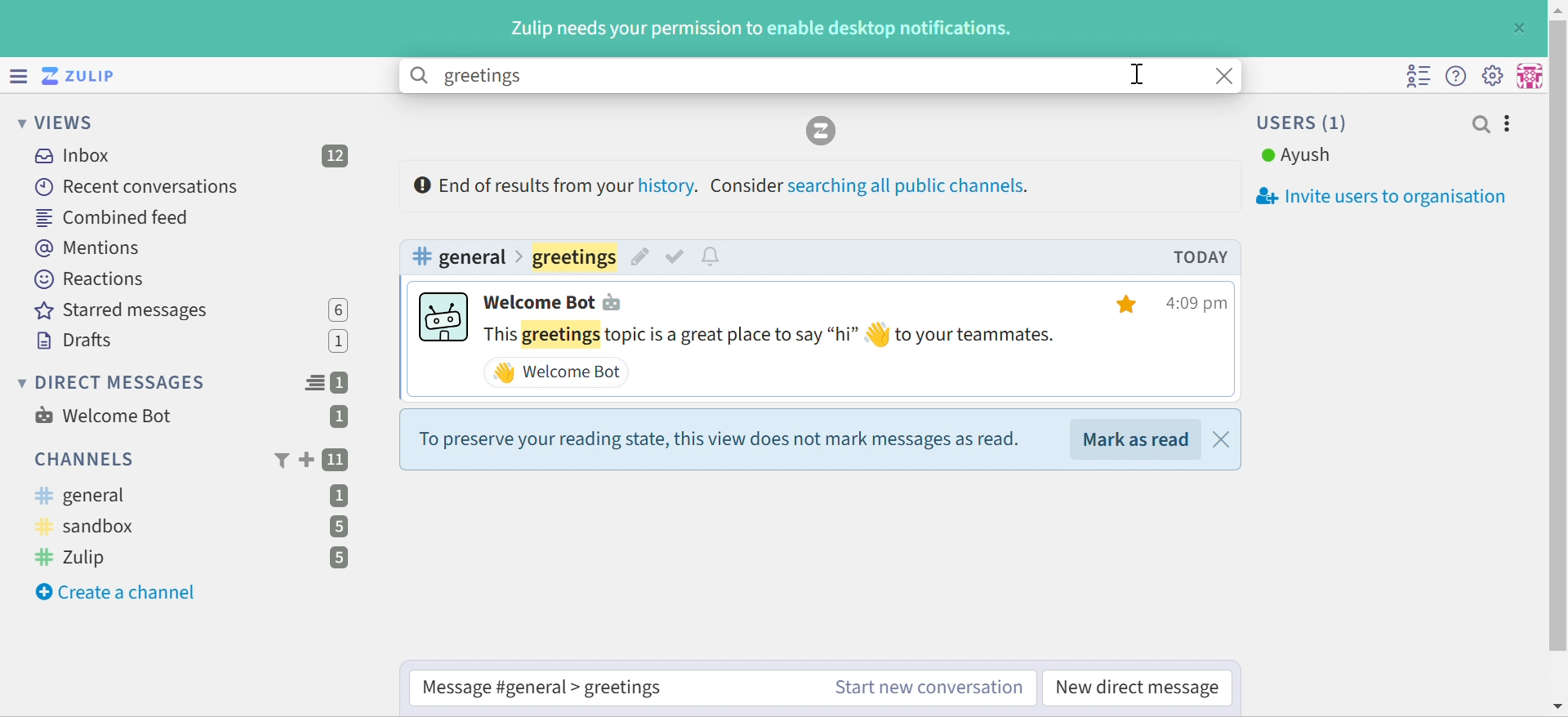  I want to click on Welcome Bot, so click(104, 416).